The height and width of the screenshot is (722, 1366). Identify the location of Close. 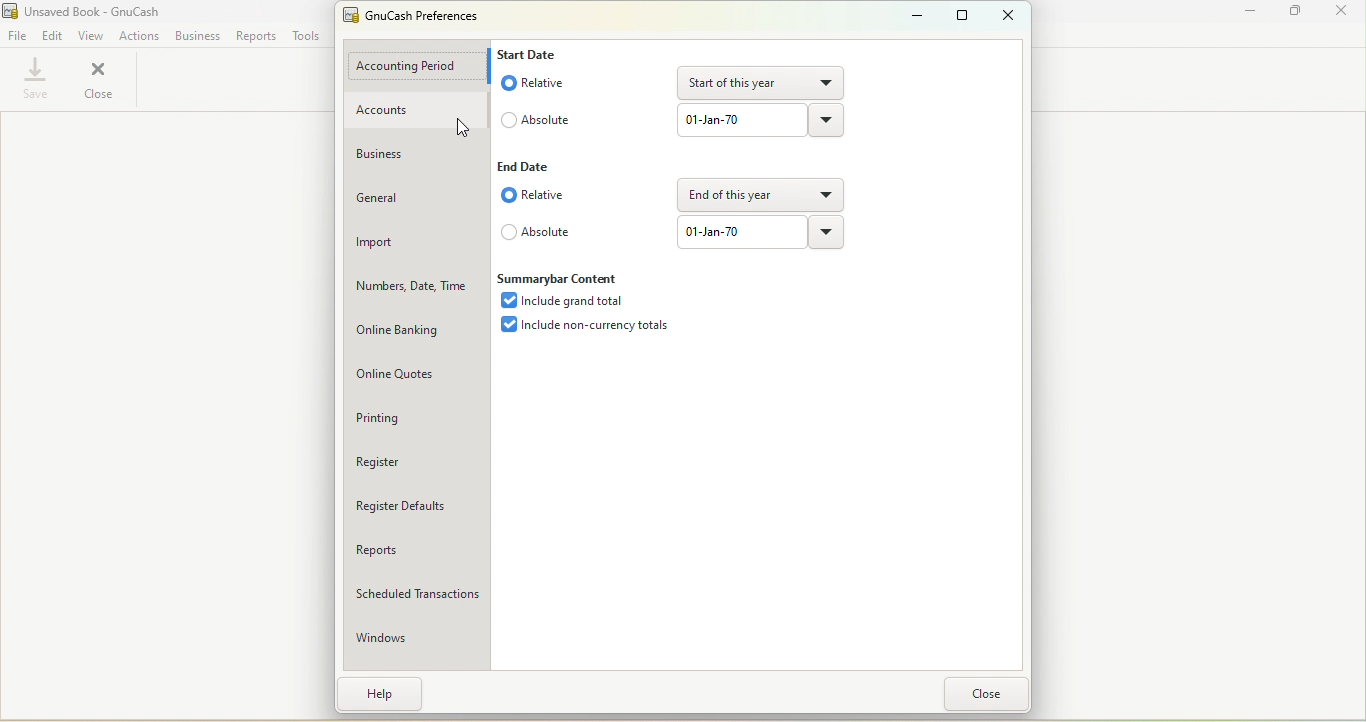
(100, 80).